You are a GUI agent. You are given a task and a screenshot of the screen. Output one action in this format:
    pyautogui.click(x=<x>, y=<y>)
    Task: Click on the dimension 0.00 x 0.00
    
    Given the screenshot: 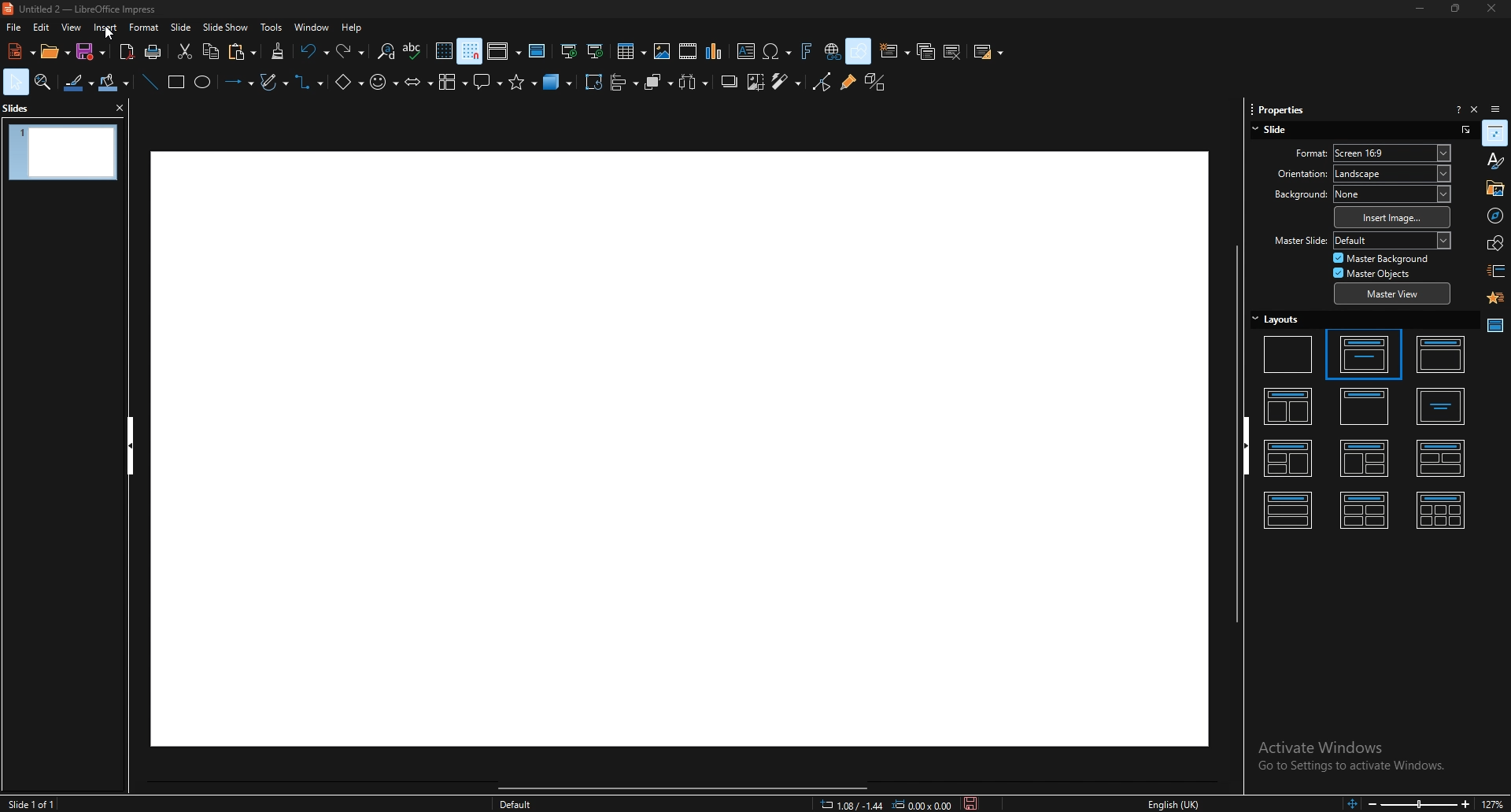 What is the action you would take?
    pyautogui.click(x=922, y=804)
    